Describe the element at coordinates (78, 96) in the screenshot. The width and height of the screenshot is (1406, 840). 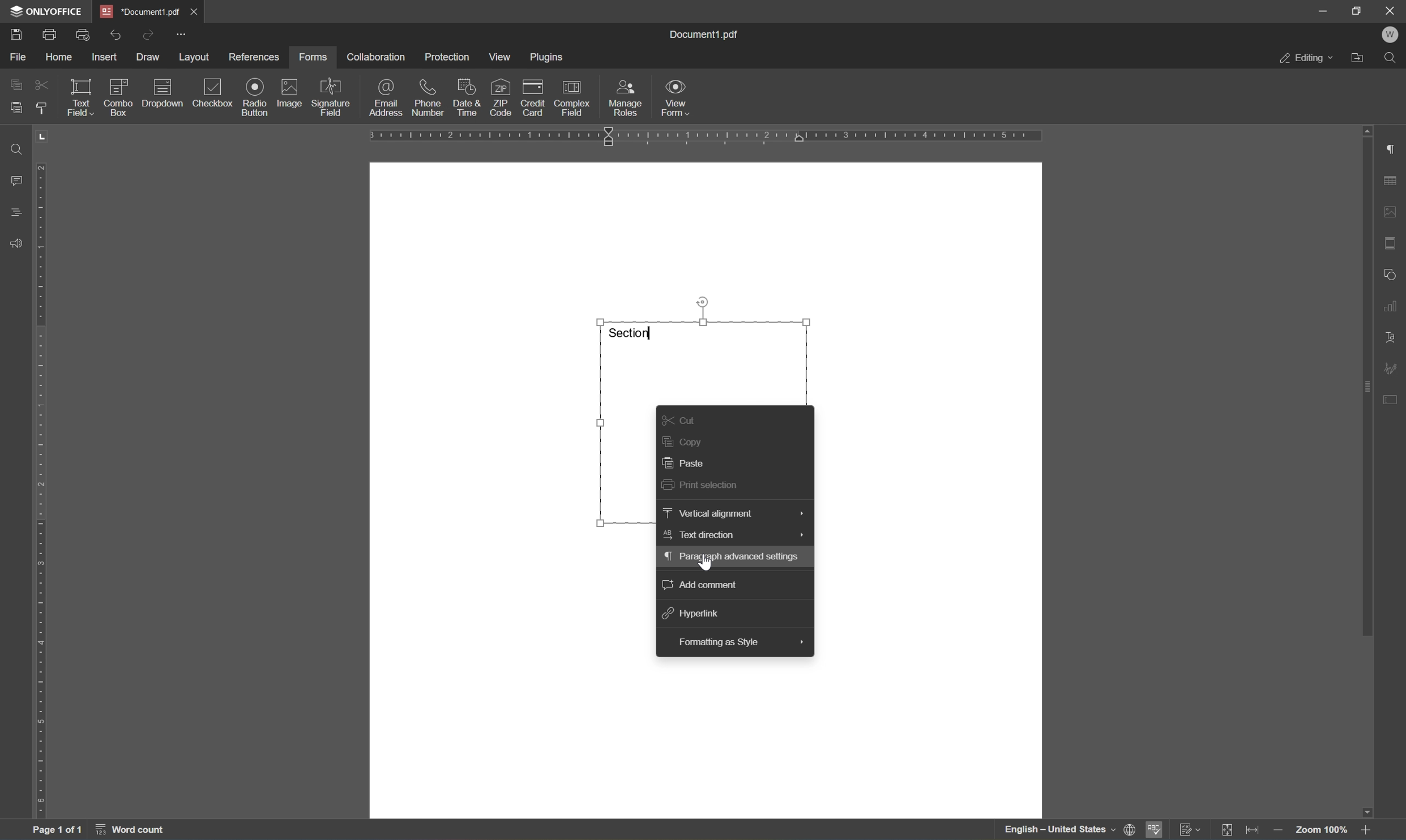
I see `text field` at that location.